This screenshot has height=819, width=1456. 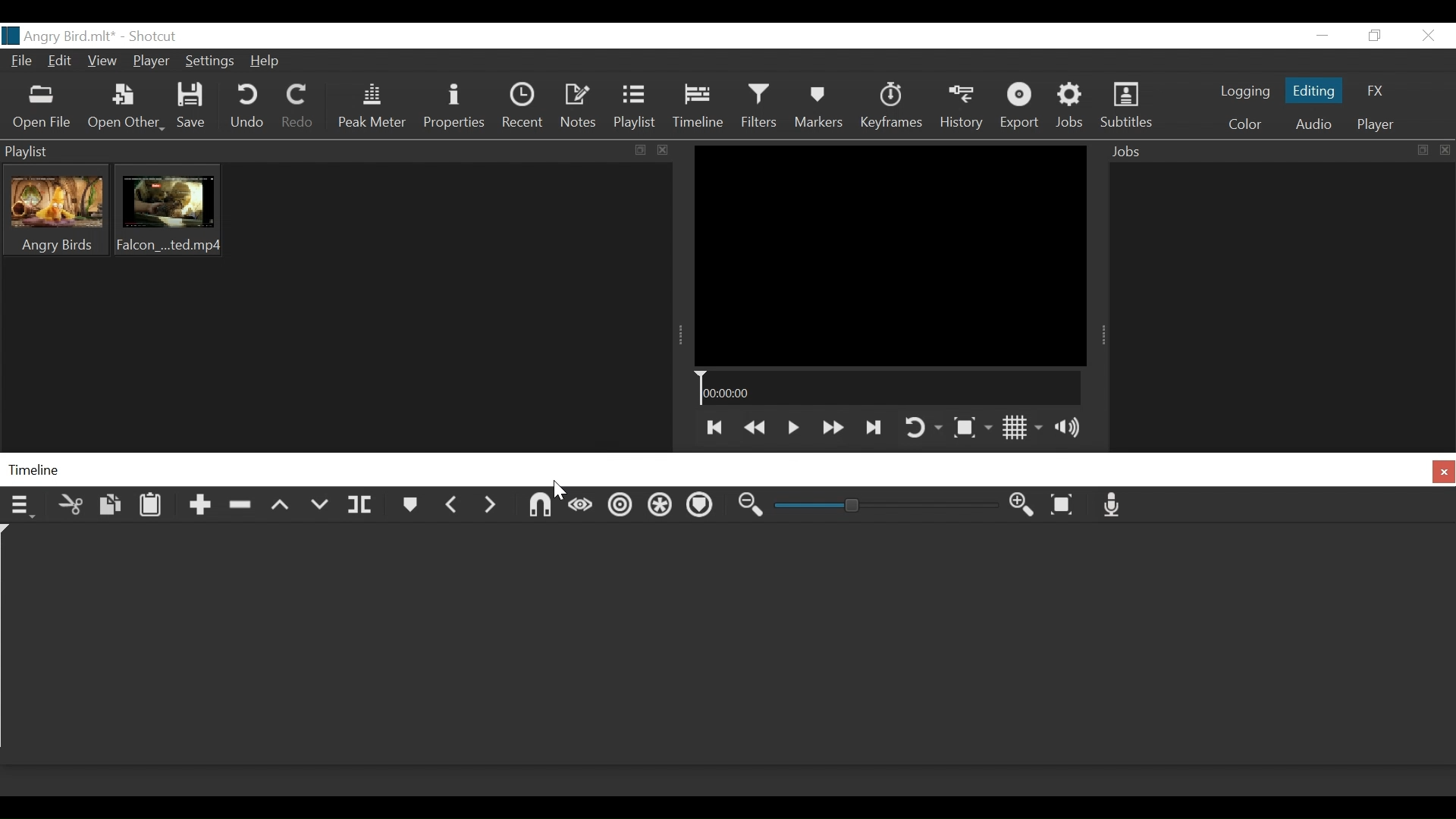 What do you see at coordinates (526, 108) in the screenshot?
I see `Recent` at bounding box center [526, 108].